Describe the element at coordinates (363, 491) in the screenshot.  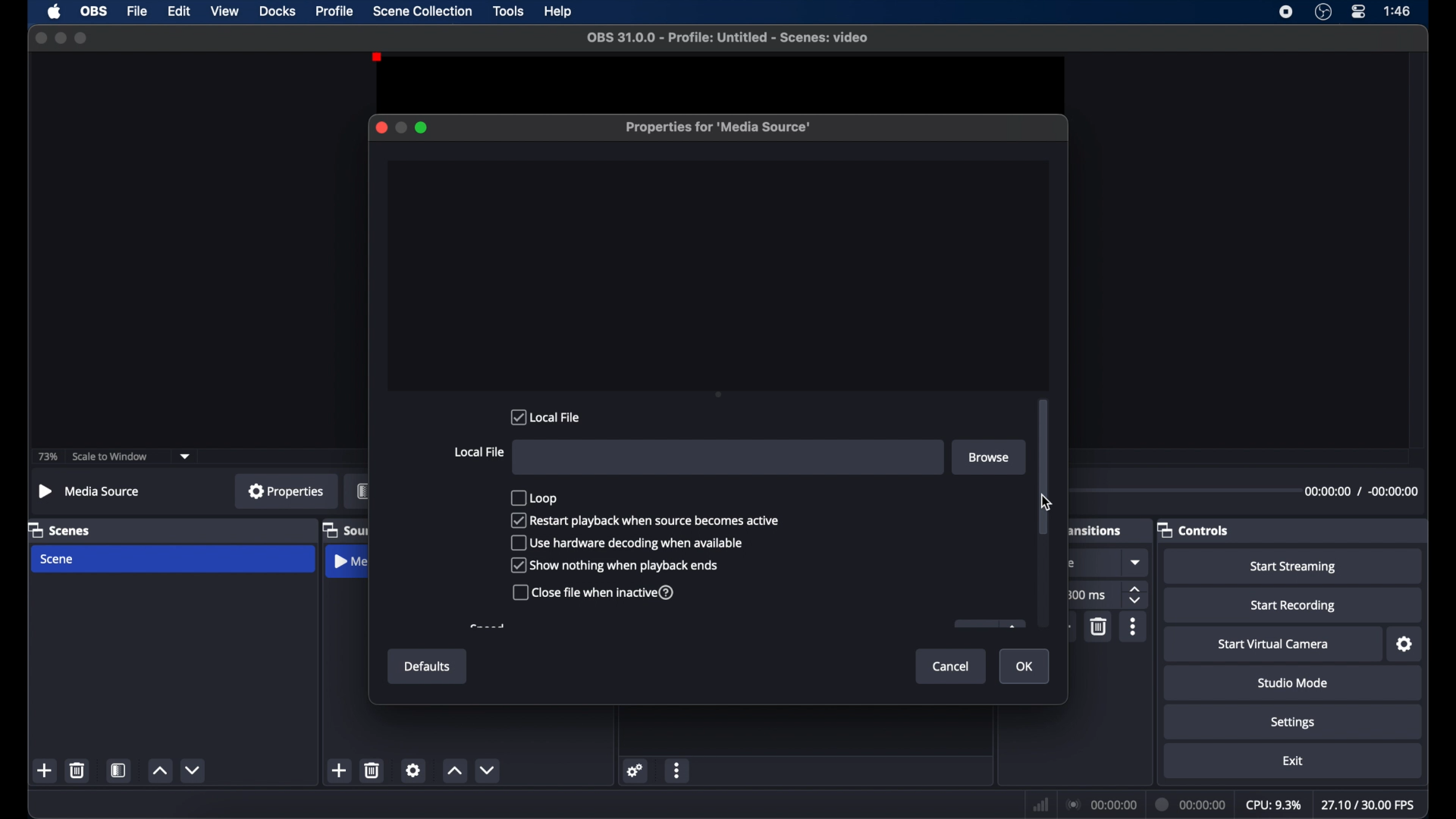
I see `obscure icon` at that location.